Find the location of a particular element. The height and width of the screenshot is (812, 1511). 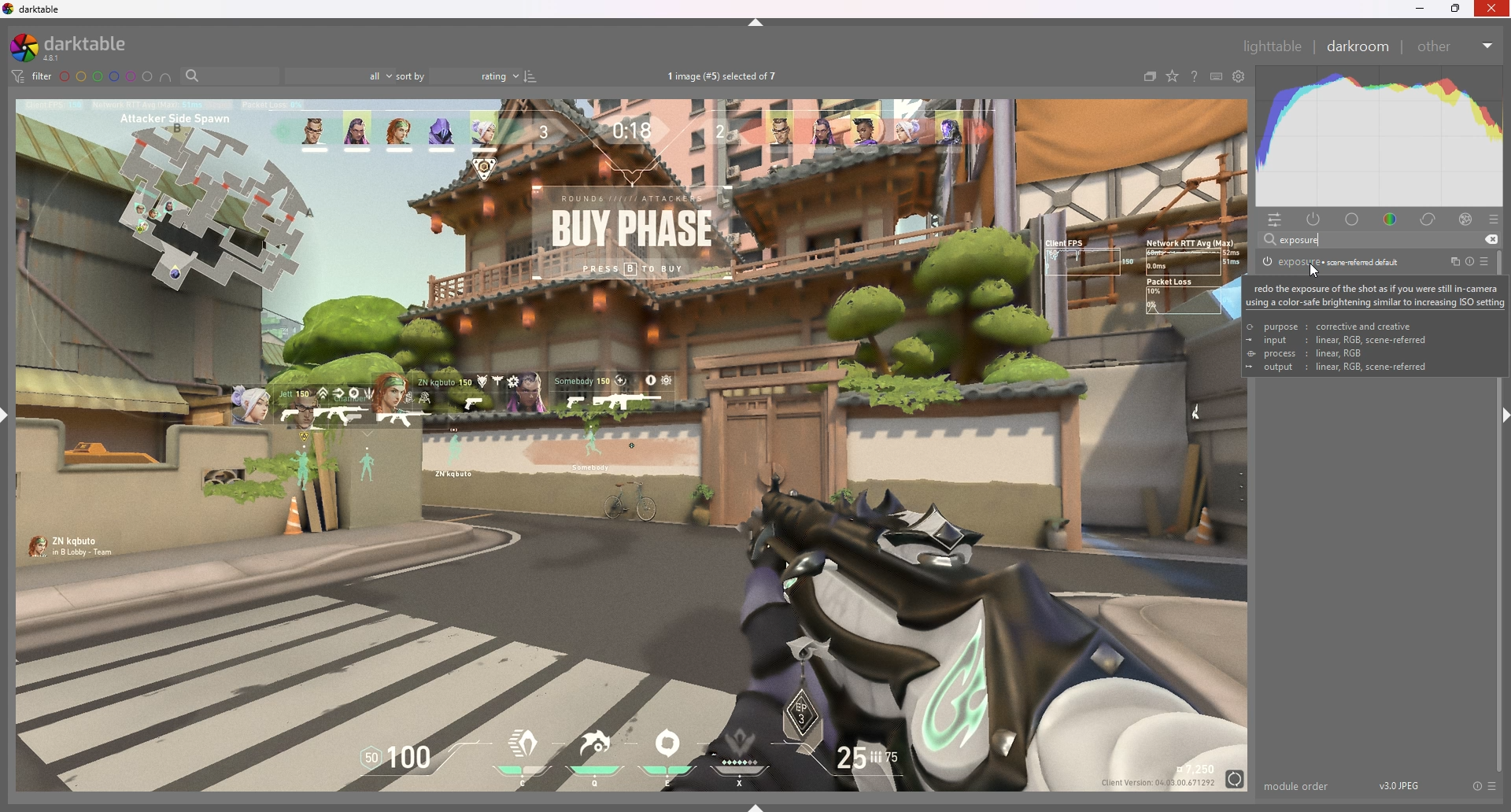

remove is located at coordinates (1491, 240).